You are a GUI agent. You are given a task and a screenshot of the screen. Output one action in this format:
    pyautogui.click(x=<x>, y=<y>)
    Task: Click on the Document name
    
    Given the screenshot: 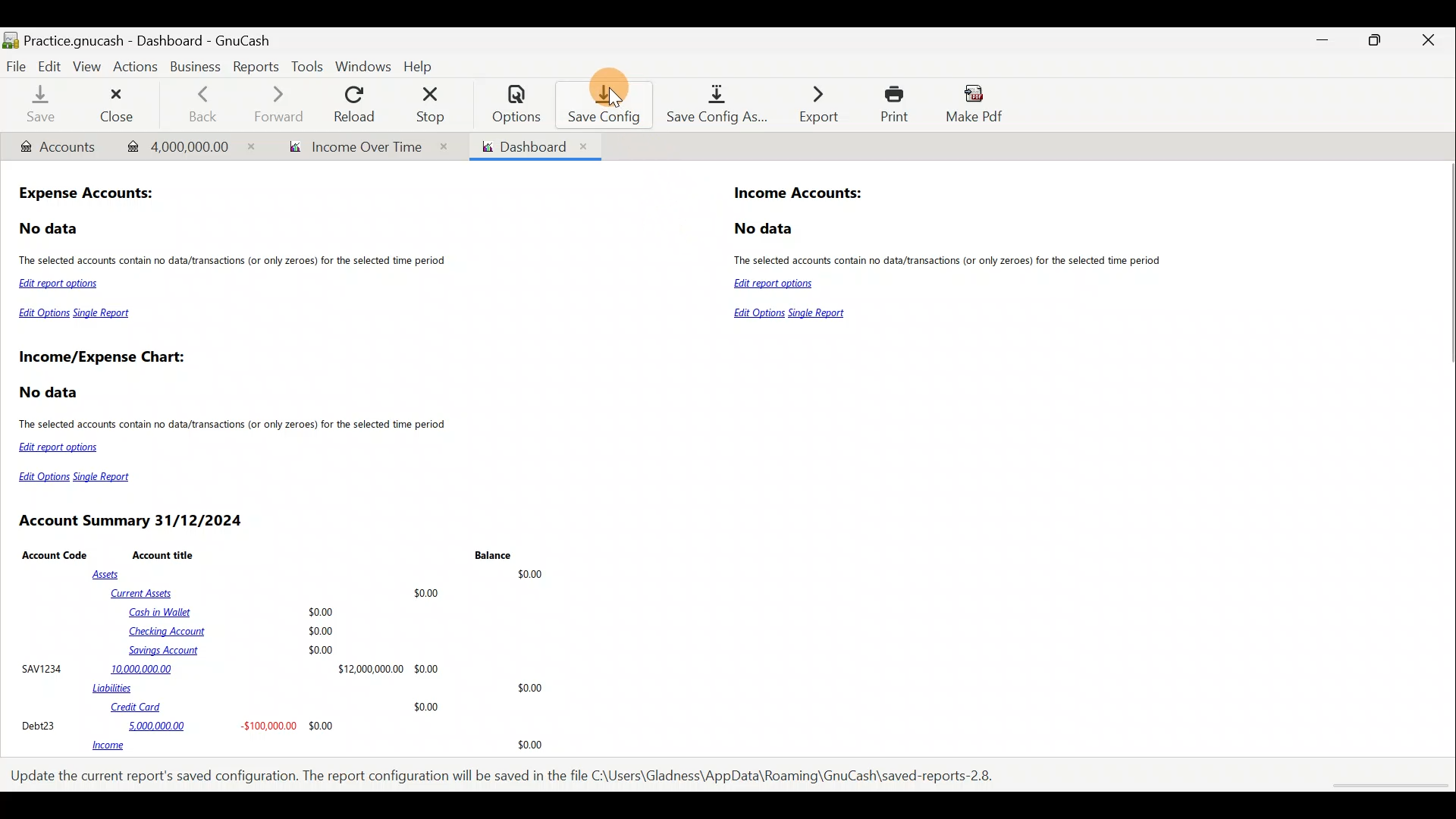 What is the action you would take?
    pyautogui.click(x=169, y=36)
    